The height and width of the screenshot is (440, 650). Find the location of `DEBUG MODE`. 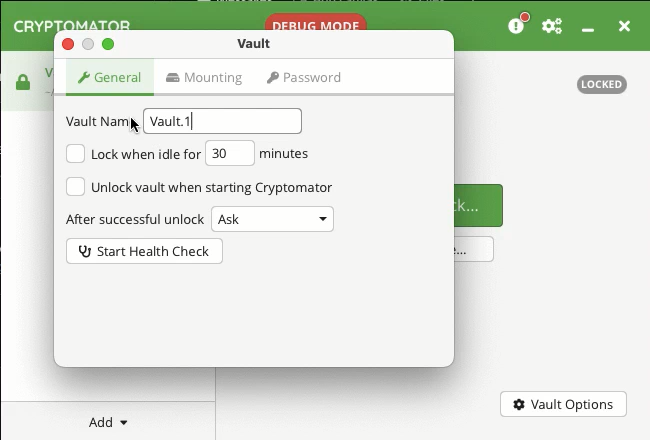

DEBUG MODE is located at coordinates (316, 22).